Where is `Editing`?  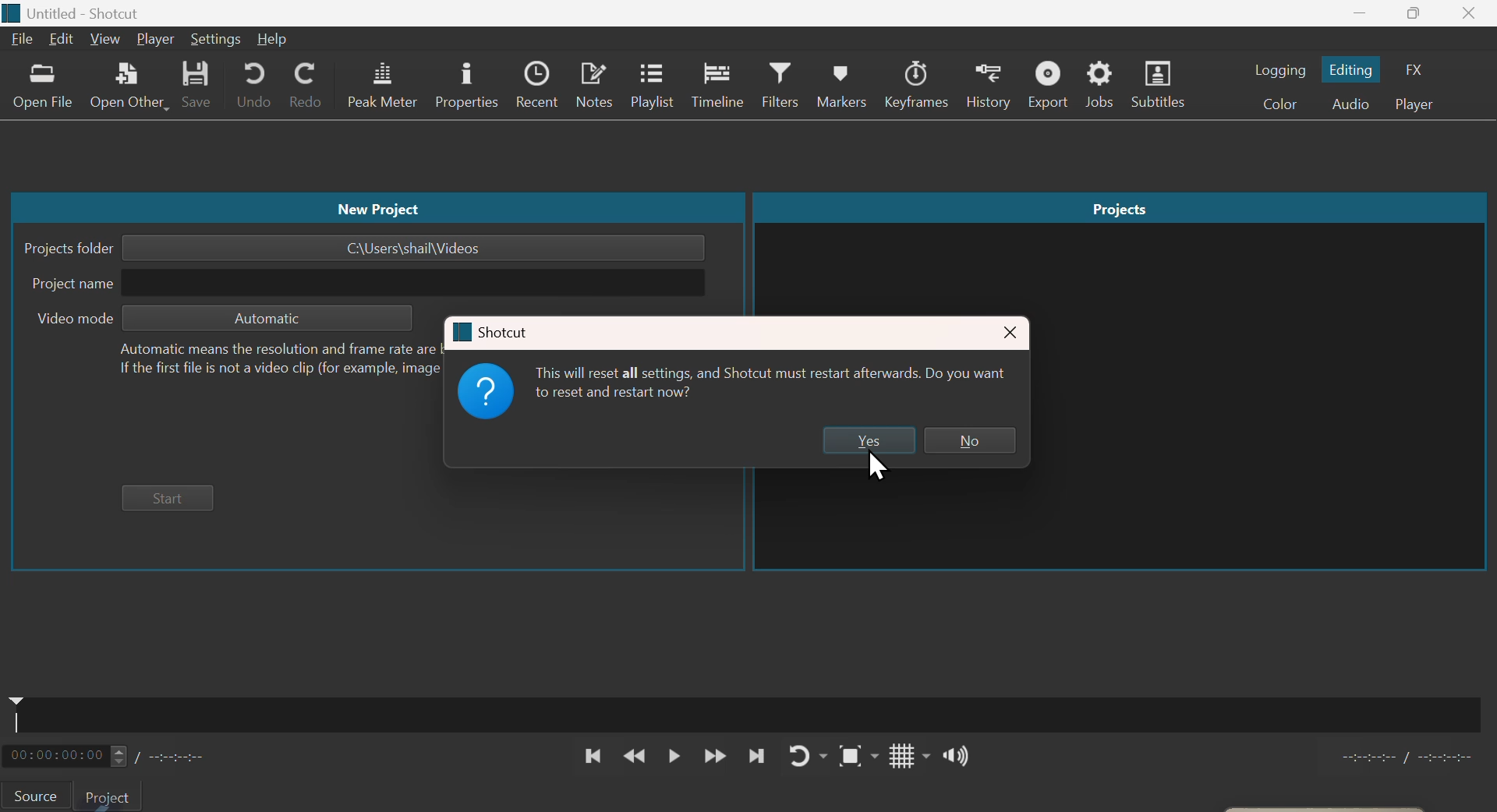 Editing is located at coordinates (1355, 69).